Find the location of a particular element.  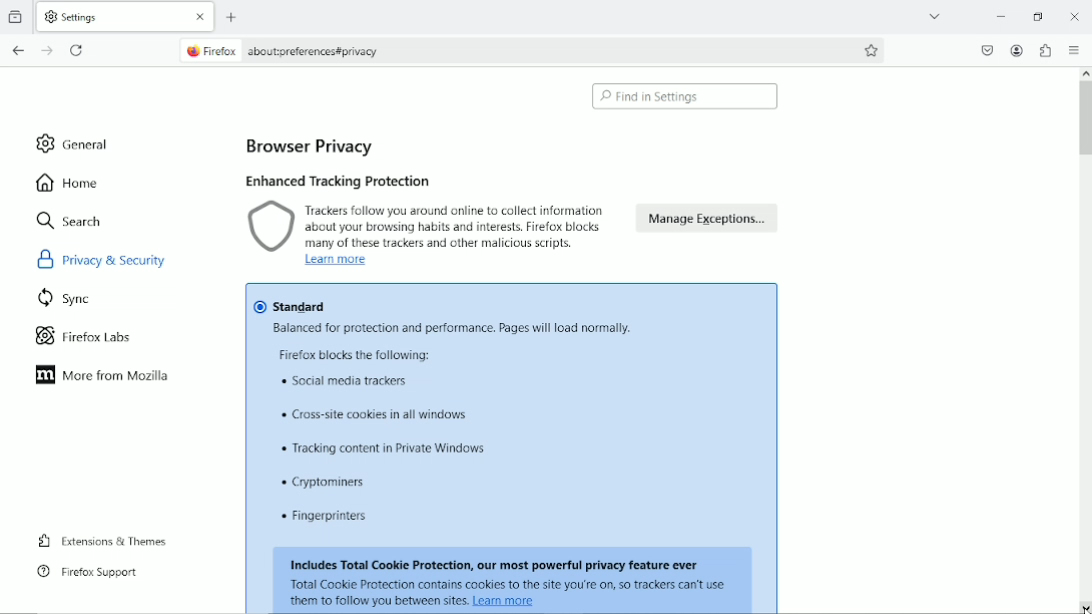

text is located at coordinates (346, 382).